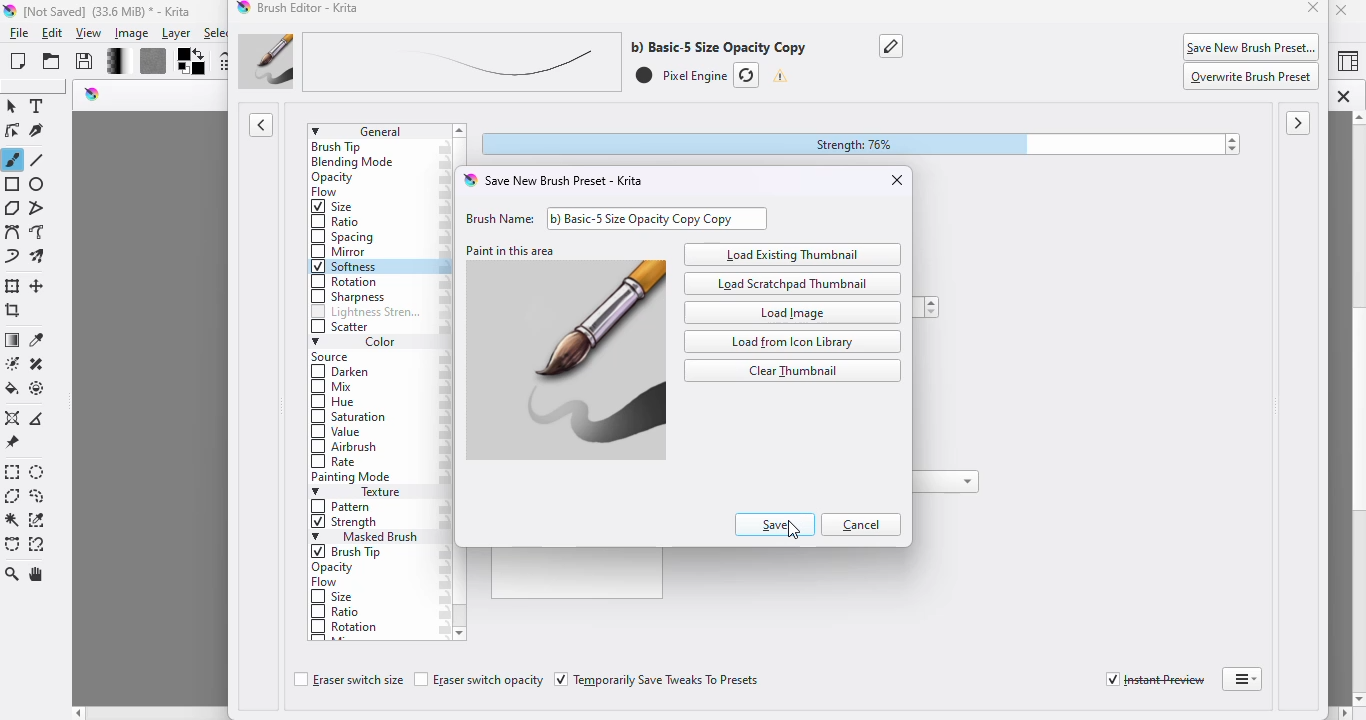 The height and width of the screenshot is (720, 1366). What do you see at coordinates (659, 680) in the screenshot?
I see `temporarily save tweaks to presets` at bounding box center [659, 680].